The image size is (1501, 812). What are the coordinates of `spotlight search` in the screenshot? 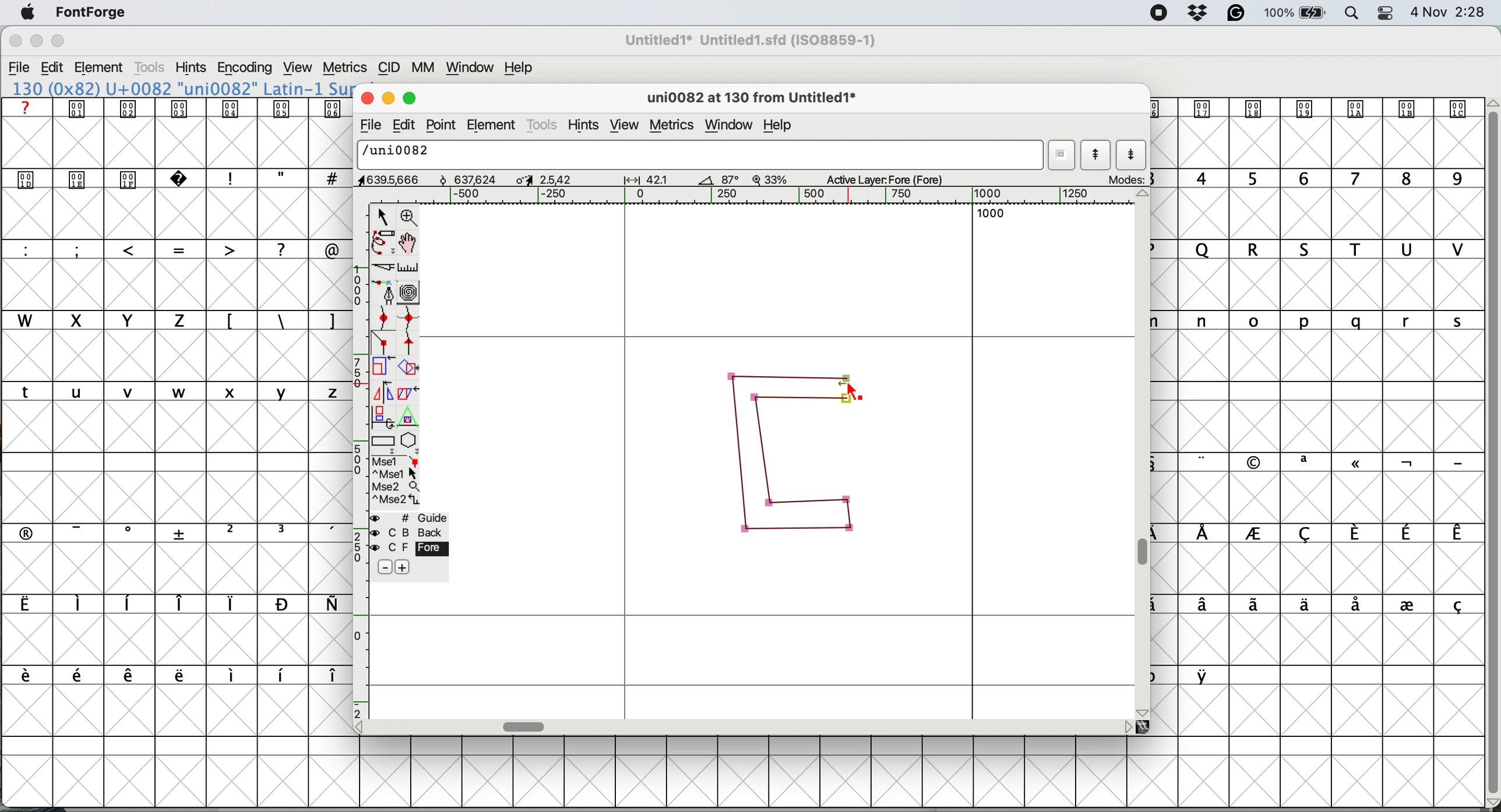 It's located at (1349, 15).